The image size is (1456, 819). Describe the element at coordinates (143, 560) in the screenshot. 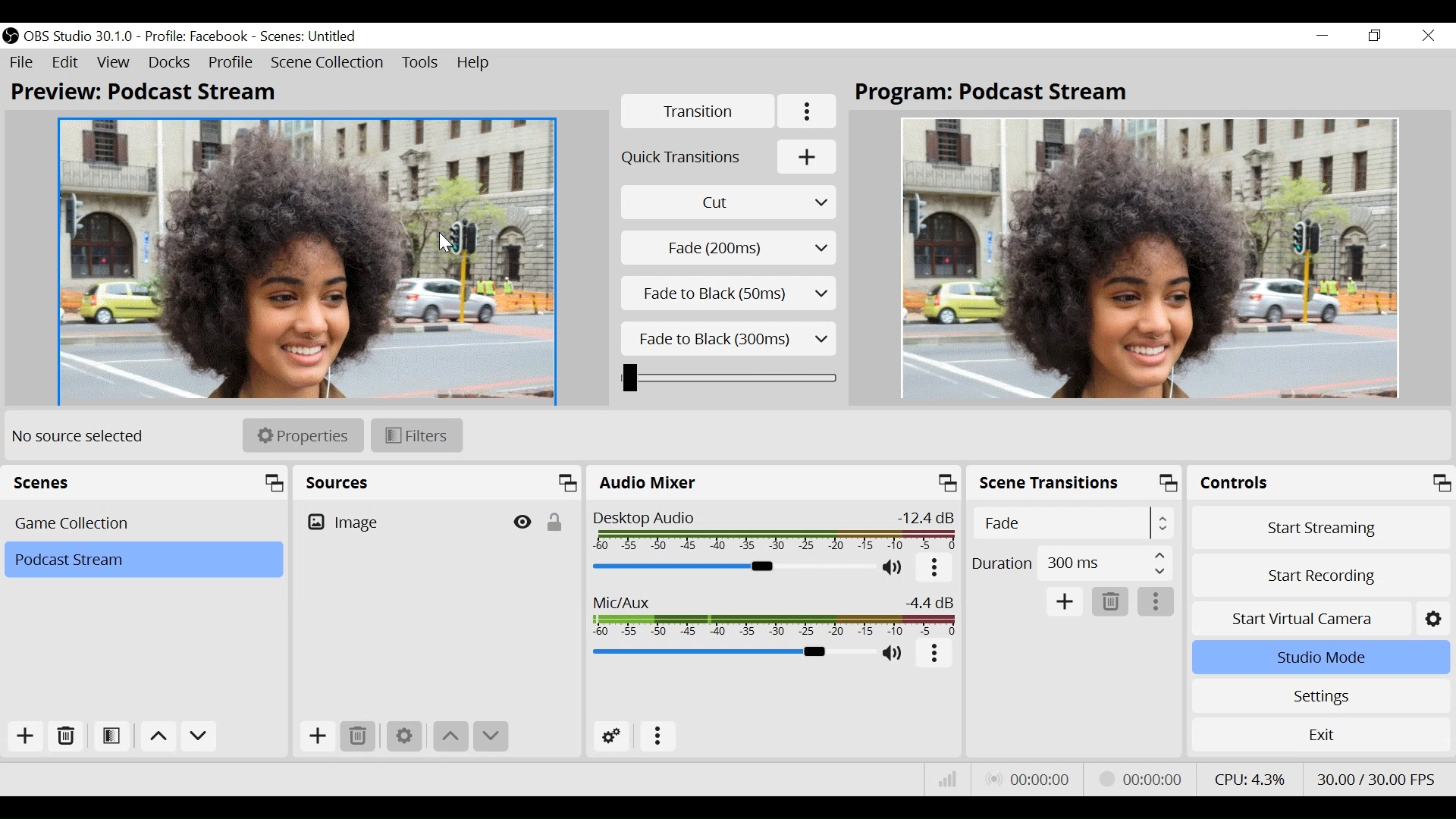

I see `Scene` at that location.